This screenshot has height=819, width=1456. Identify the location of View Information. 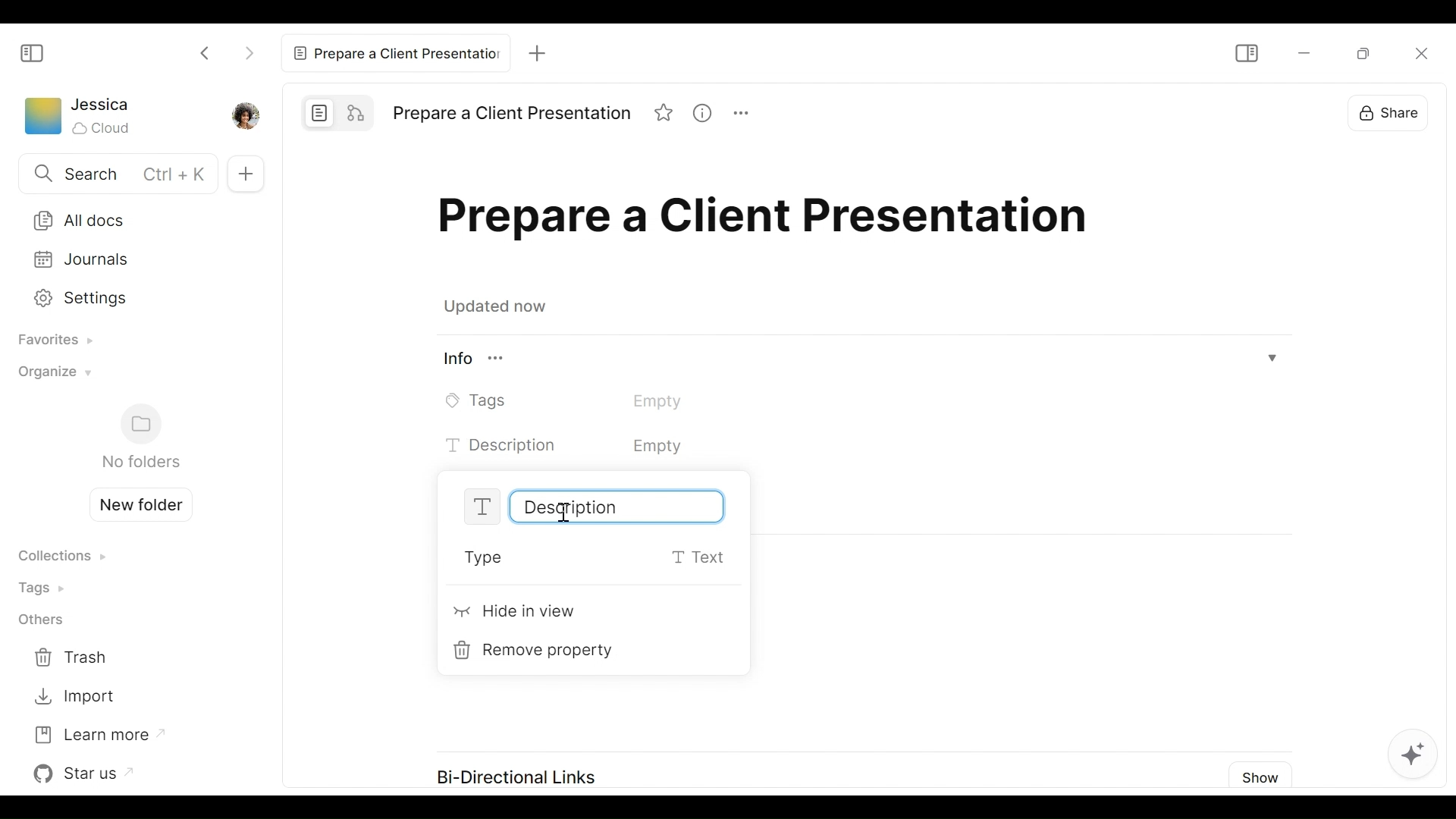
(708, 115).